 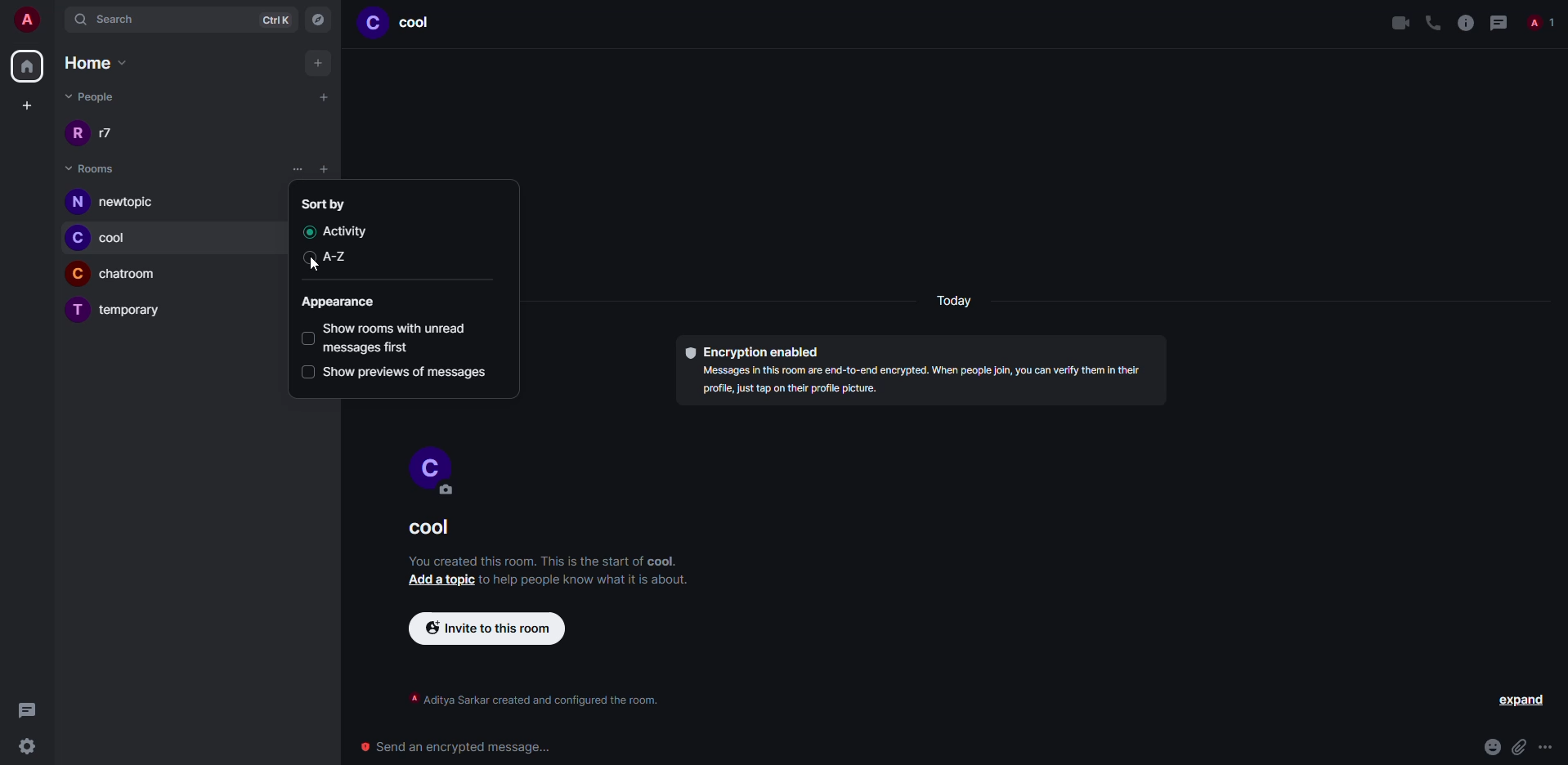 I want to click on expand, so click(x=1525, y=698).